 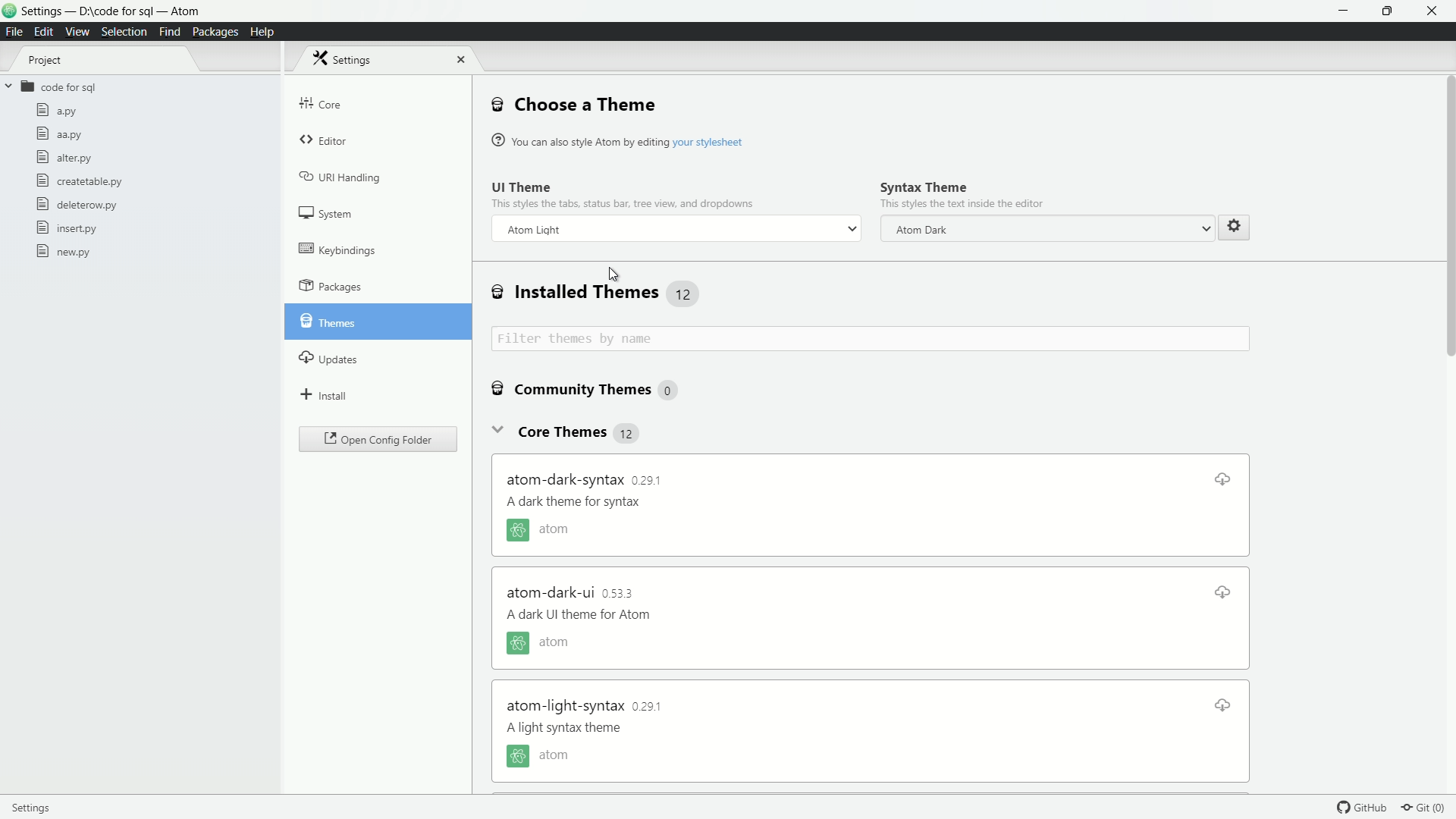 I want to click on updates, so click(x=330, y=357).